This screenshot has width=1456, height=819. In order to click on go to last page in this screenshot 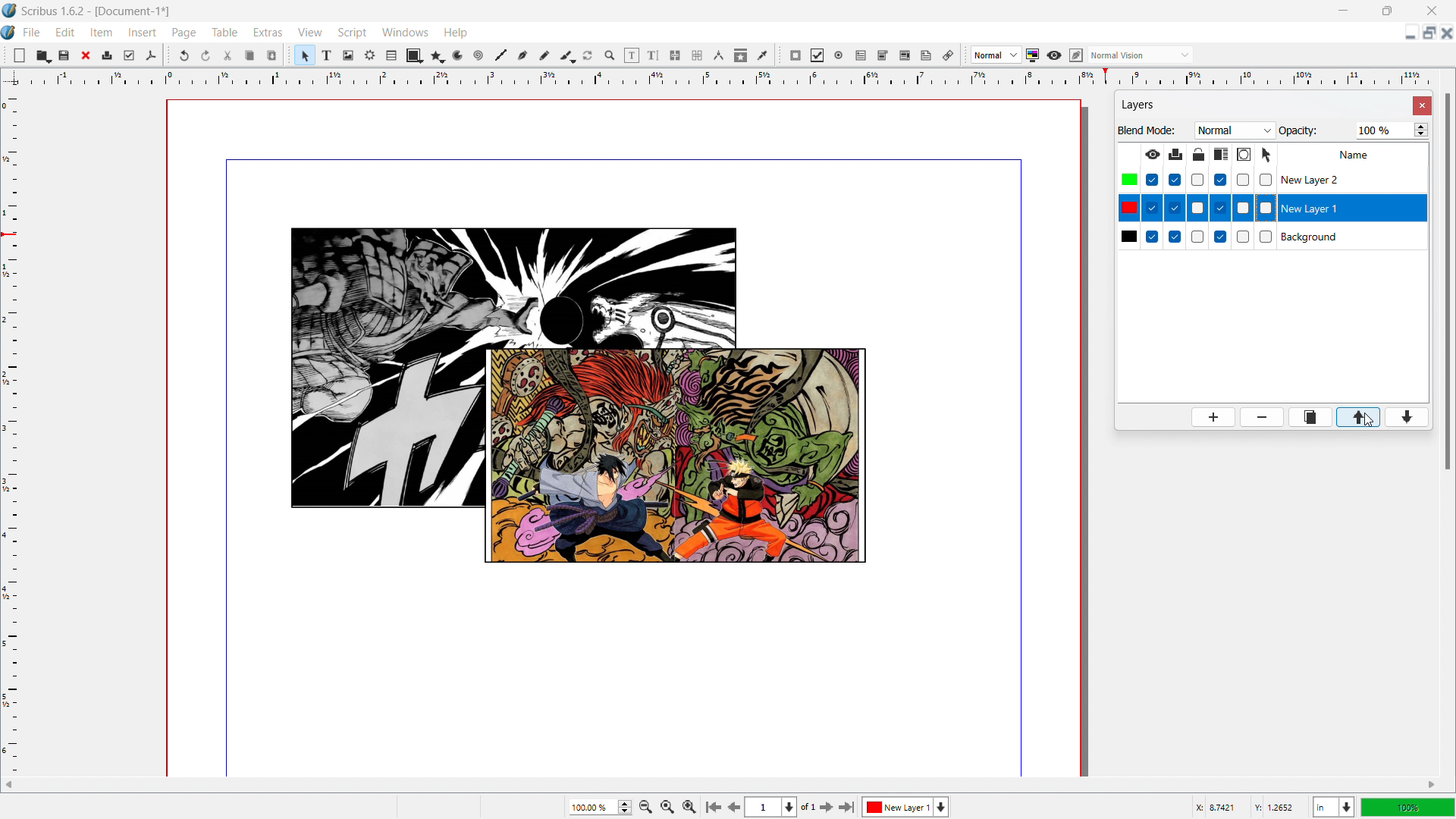, I will do `click(848, 807)`.